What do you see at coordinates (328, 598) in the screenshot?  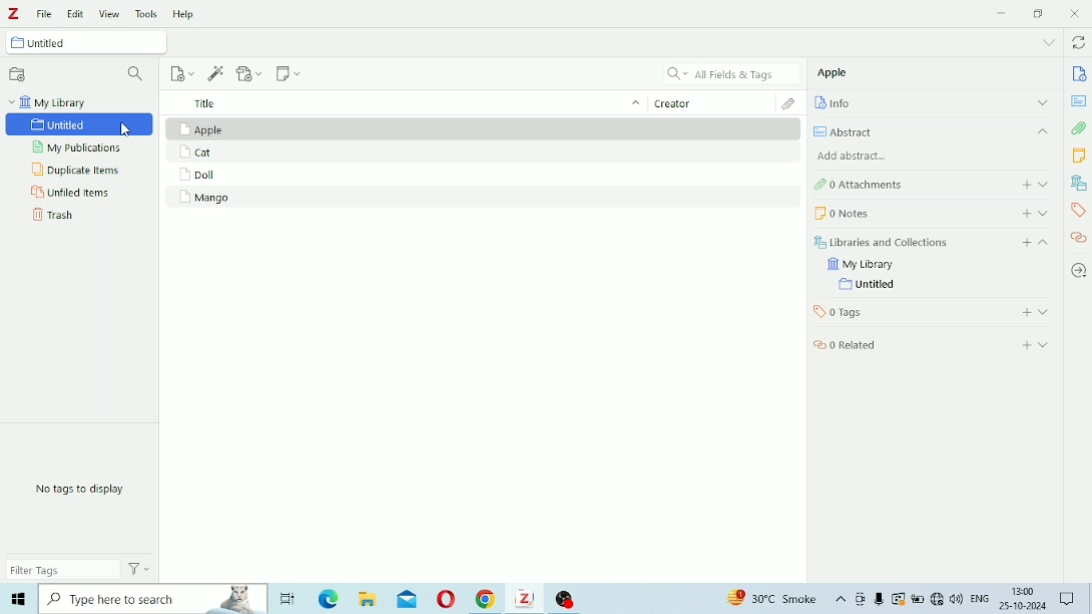 I see `` at bounding box center [328, 598].